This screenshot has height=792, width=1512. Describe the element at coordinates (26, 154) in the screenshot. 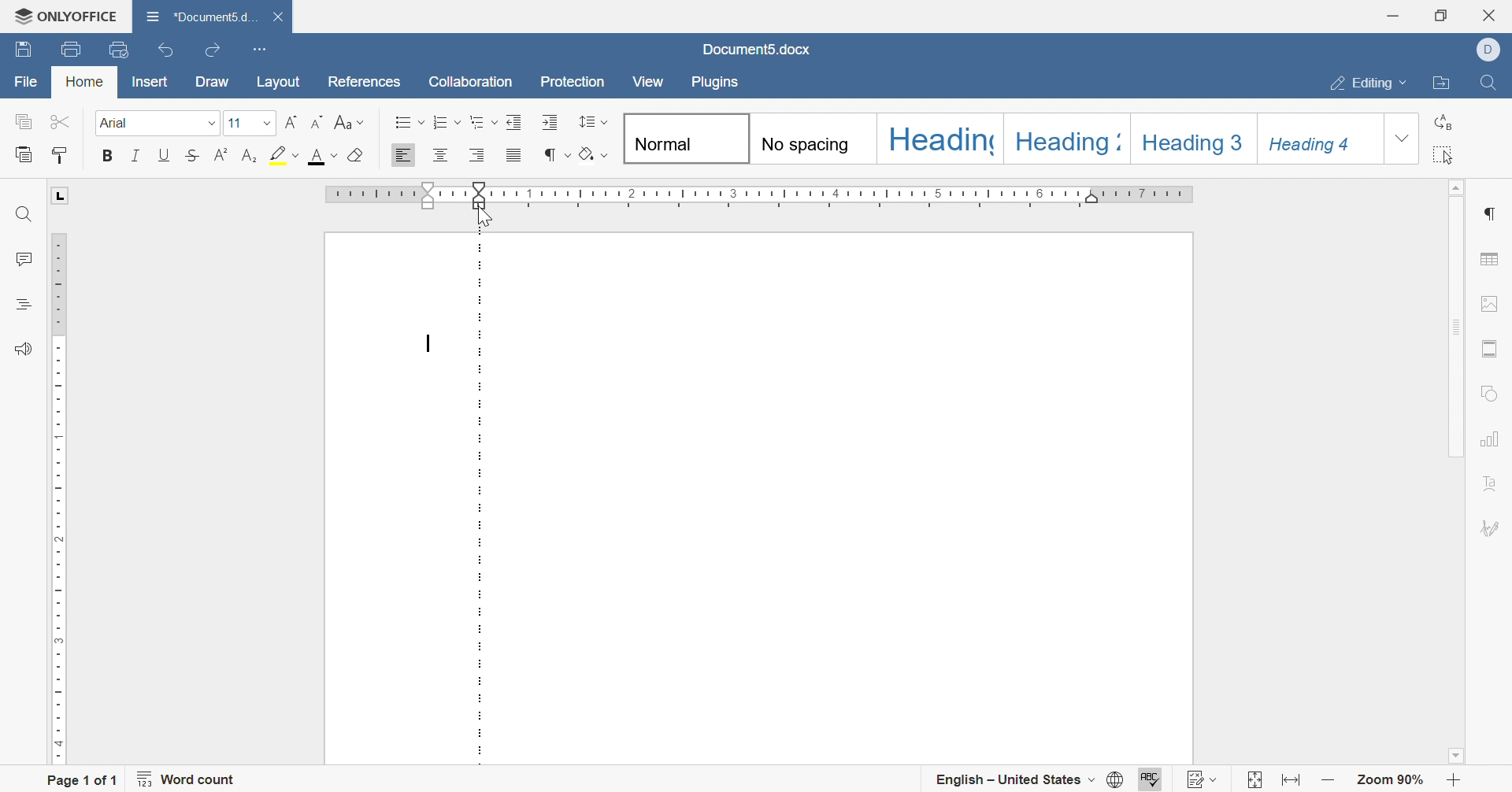

I see `paste` at that location.